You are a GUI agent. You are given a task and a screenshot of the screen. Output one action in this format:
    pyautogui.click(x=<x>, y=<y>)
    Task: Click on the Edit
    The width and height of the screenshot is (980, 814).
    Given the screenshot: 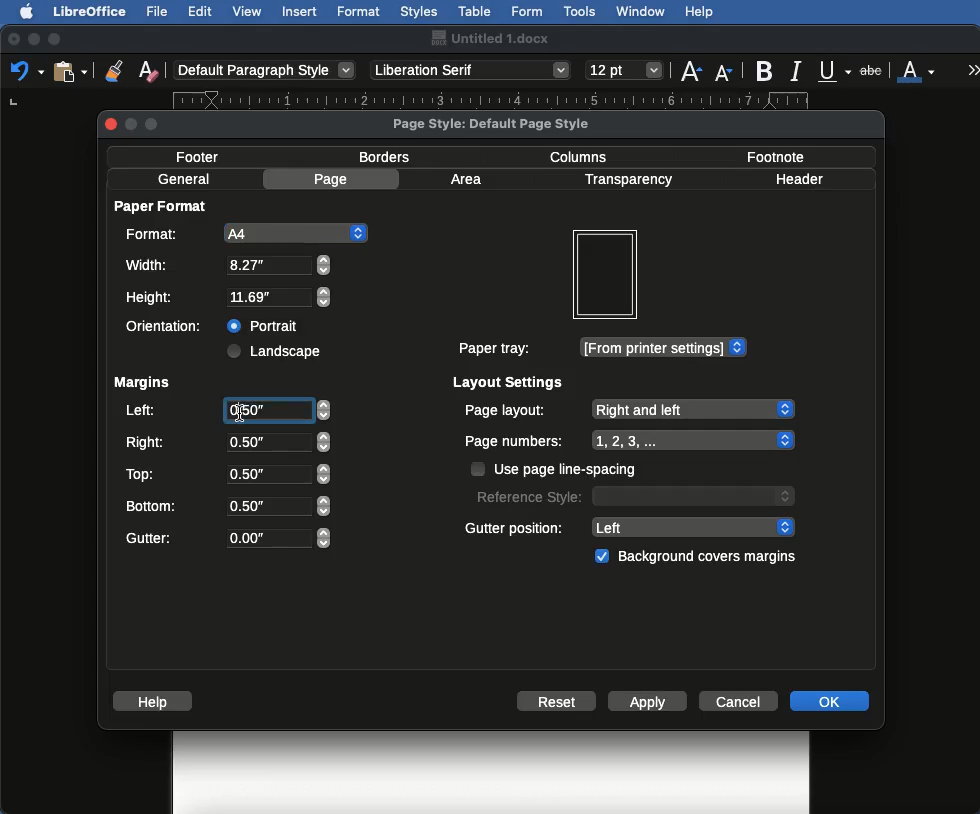 What is the action you would take?
    pyautogui.click(x=200, y=11)
    